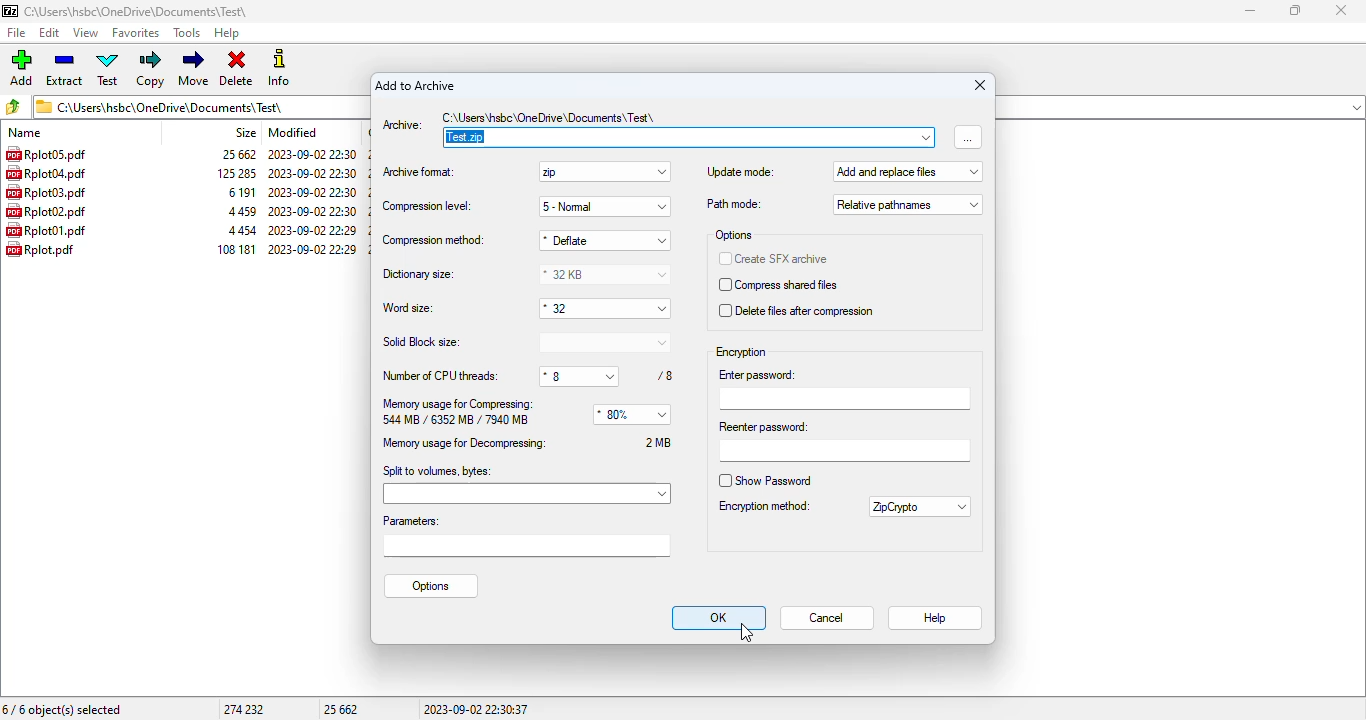  I want to click on encryption, so click(741, 353).